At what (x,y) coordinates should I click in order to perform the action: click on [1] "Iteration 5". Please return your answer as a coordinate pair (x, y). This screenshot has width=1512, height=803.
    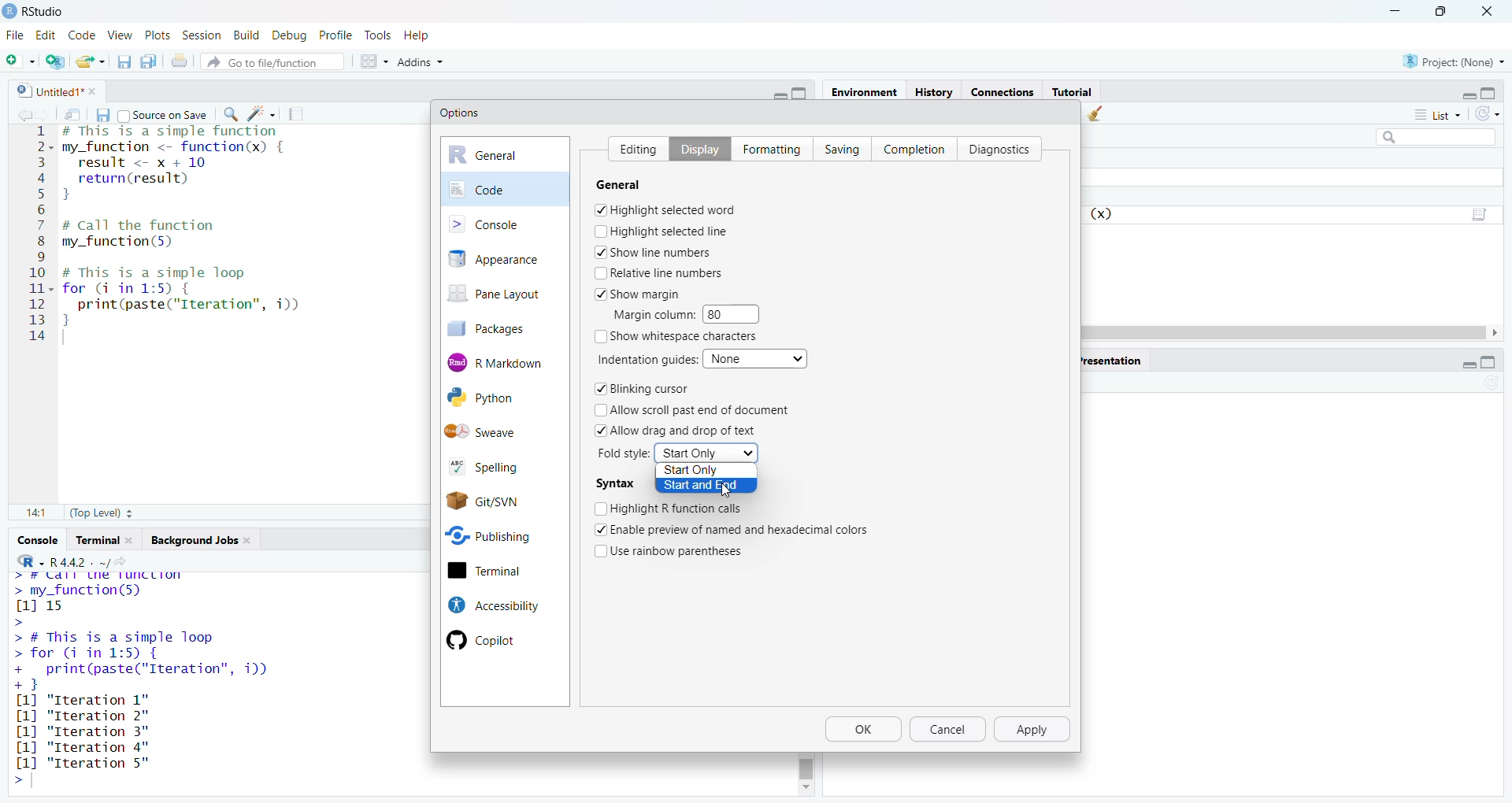
    Looking at the image, I should click on (80, 763).